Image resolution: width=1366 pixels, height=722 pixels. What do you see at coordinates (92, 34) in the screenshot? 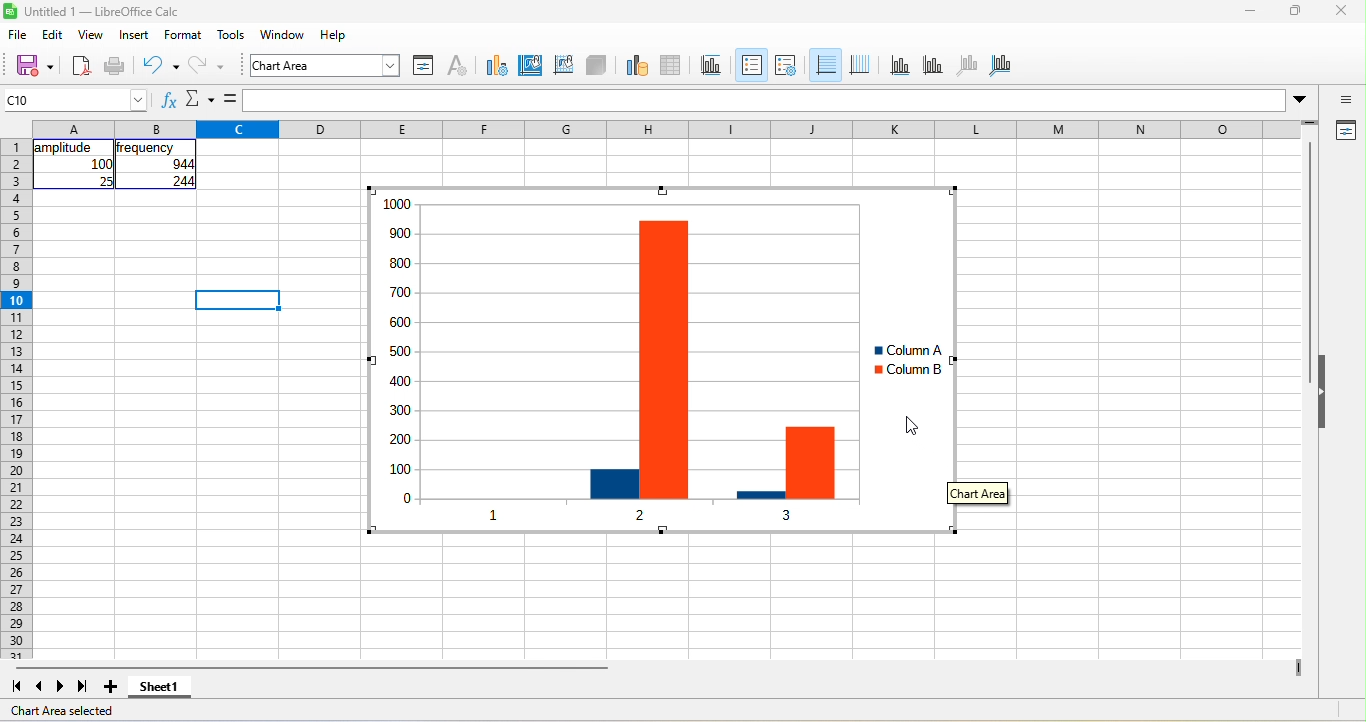
I see `view` at bounding box center [92, 34].